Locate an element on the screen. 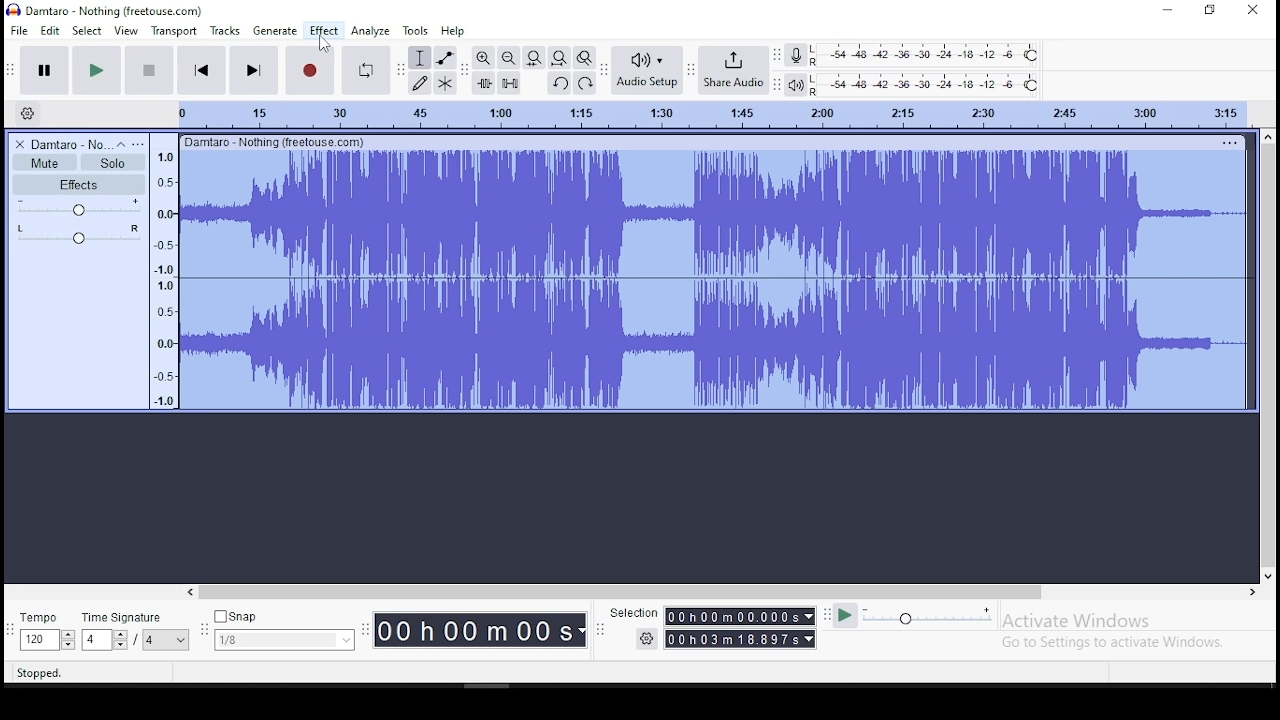  audio setup is located at coordinates (645, 70).